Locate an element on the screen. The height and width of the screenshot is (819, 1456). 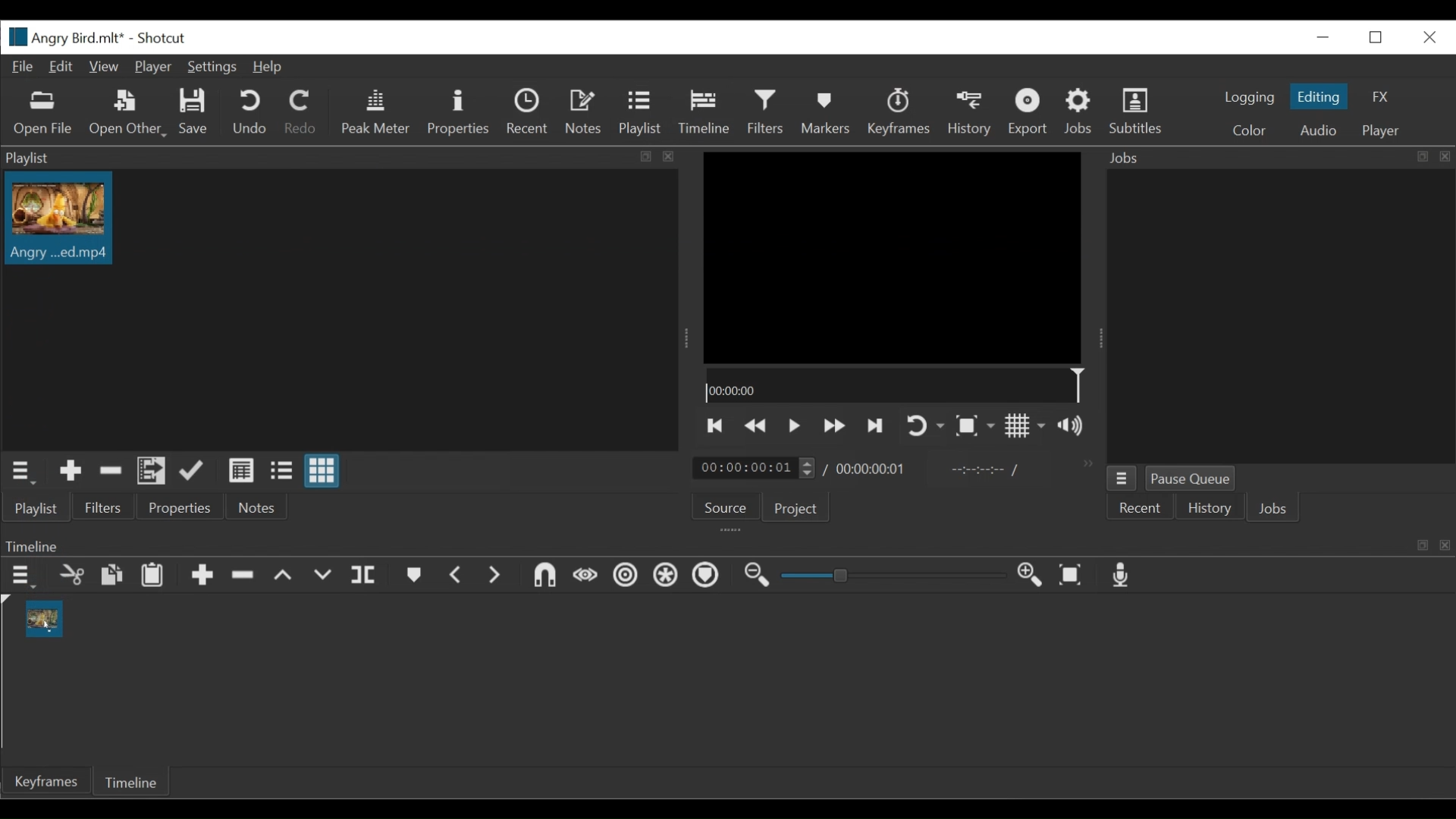
Add the Source to the playlist is located at coordinates (71, 472).